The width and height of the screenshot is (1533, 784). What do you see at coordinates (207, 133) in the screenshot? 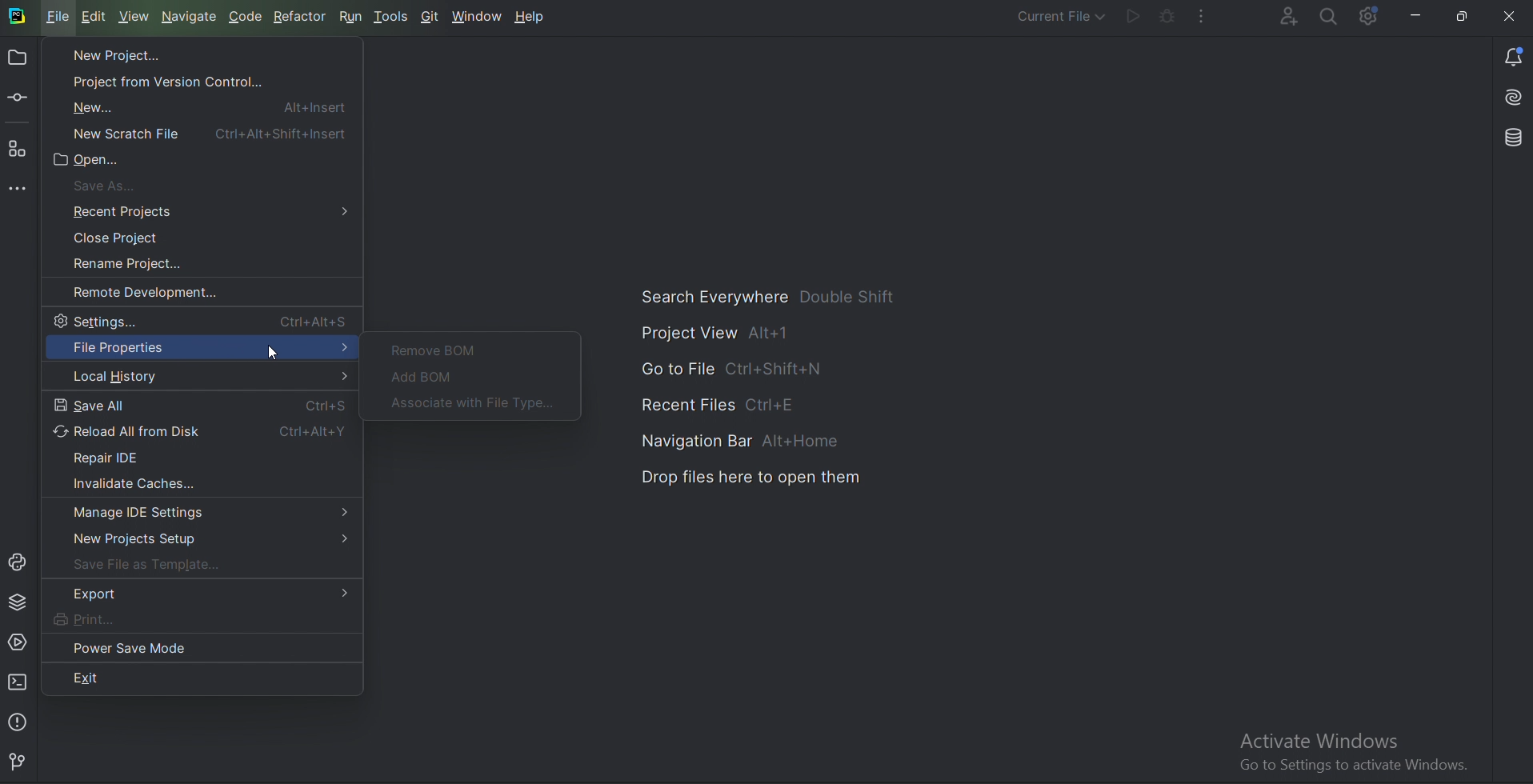
I see `New scratch file` at bounding box center [207, 133].